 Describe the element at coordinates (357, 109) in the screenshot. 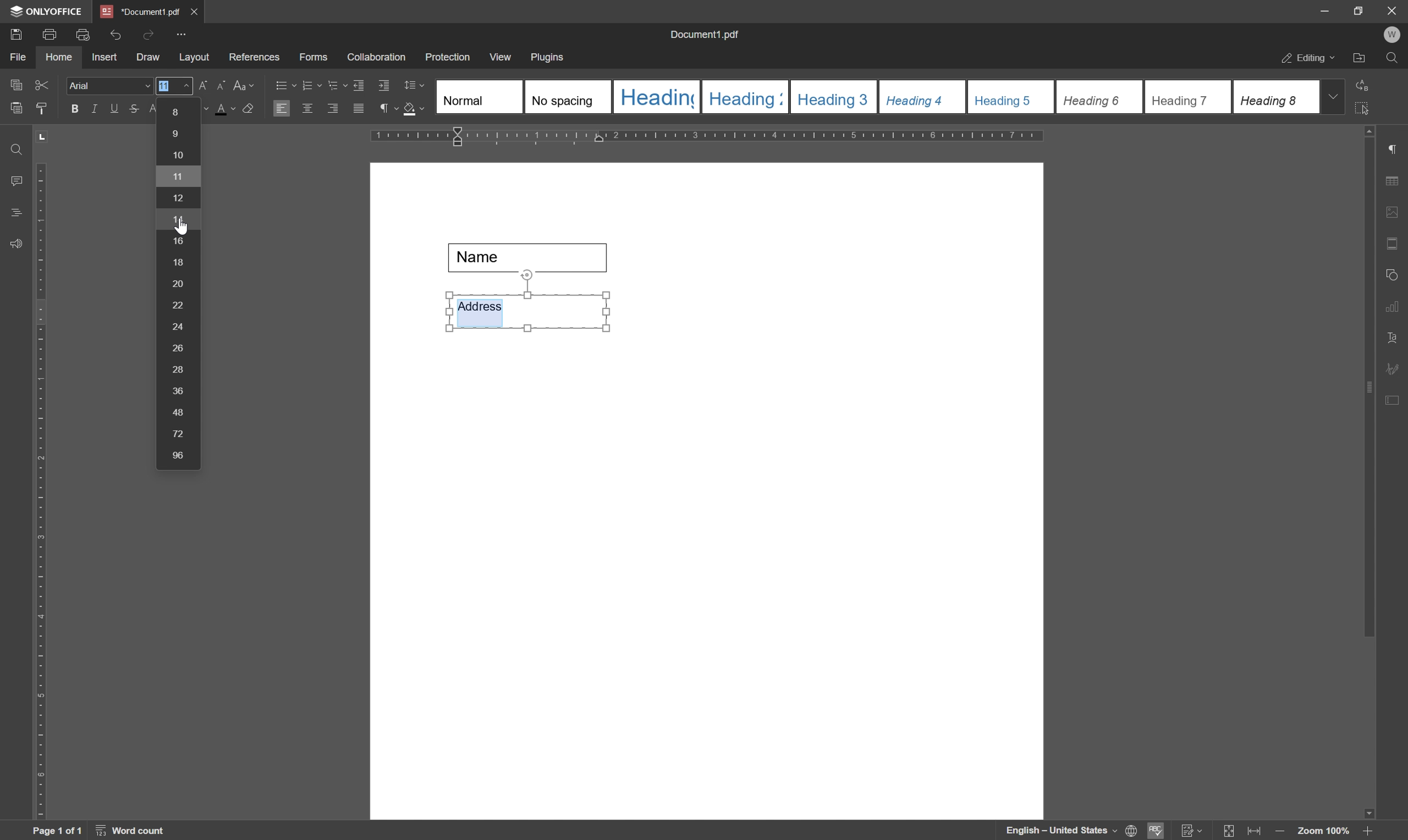

I see `justified` at that location.